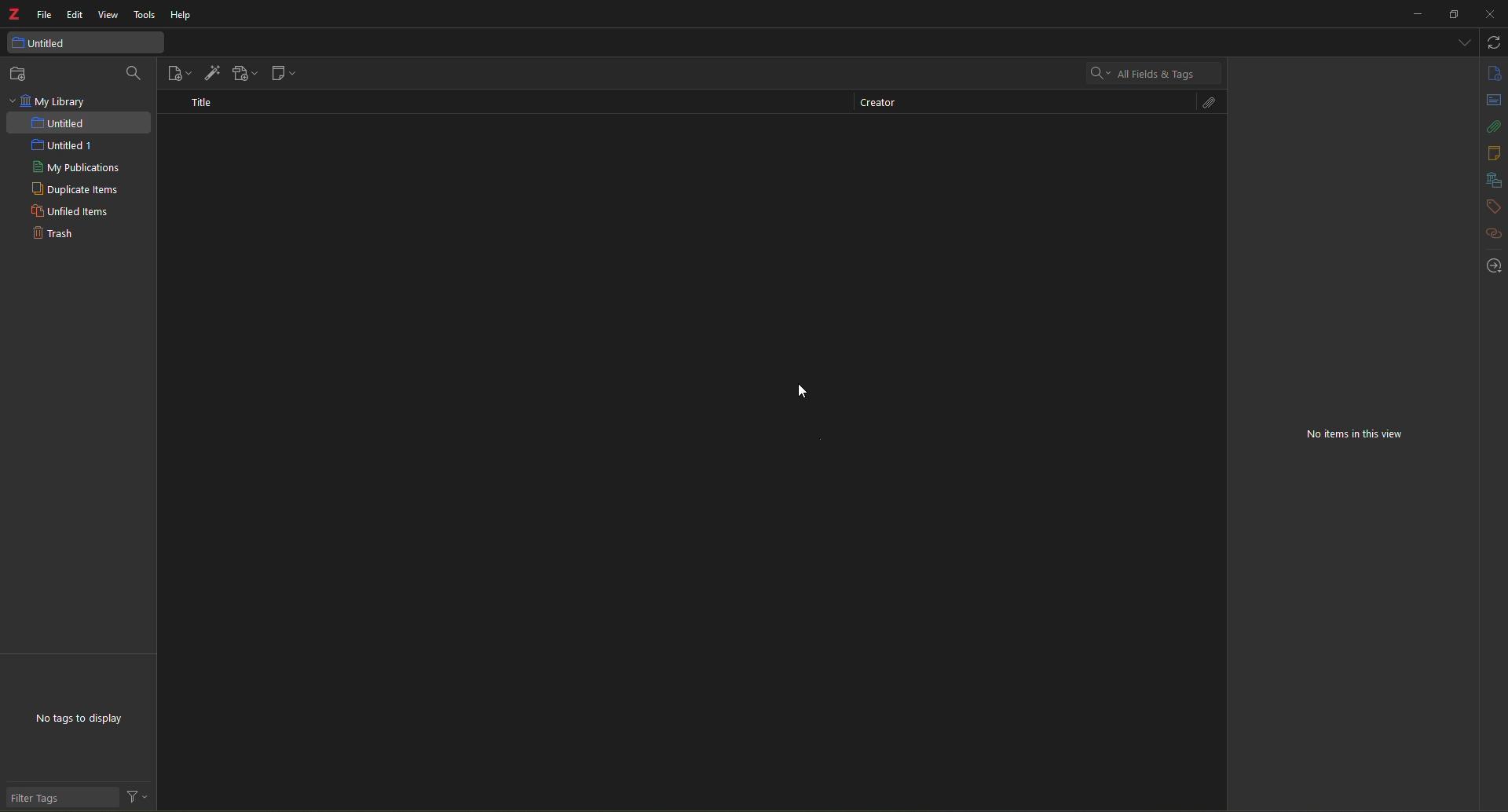 The width and height of the screenshot is (1508, 812). Describe the element at coordinates (1422, 72) in the screenshot. I see `citation` at that location.